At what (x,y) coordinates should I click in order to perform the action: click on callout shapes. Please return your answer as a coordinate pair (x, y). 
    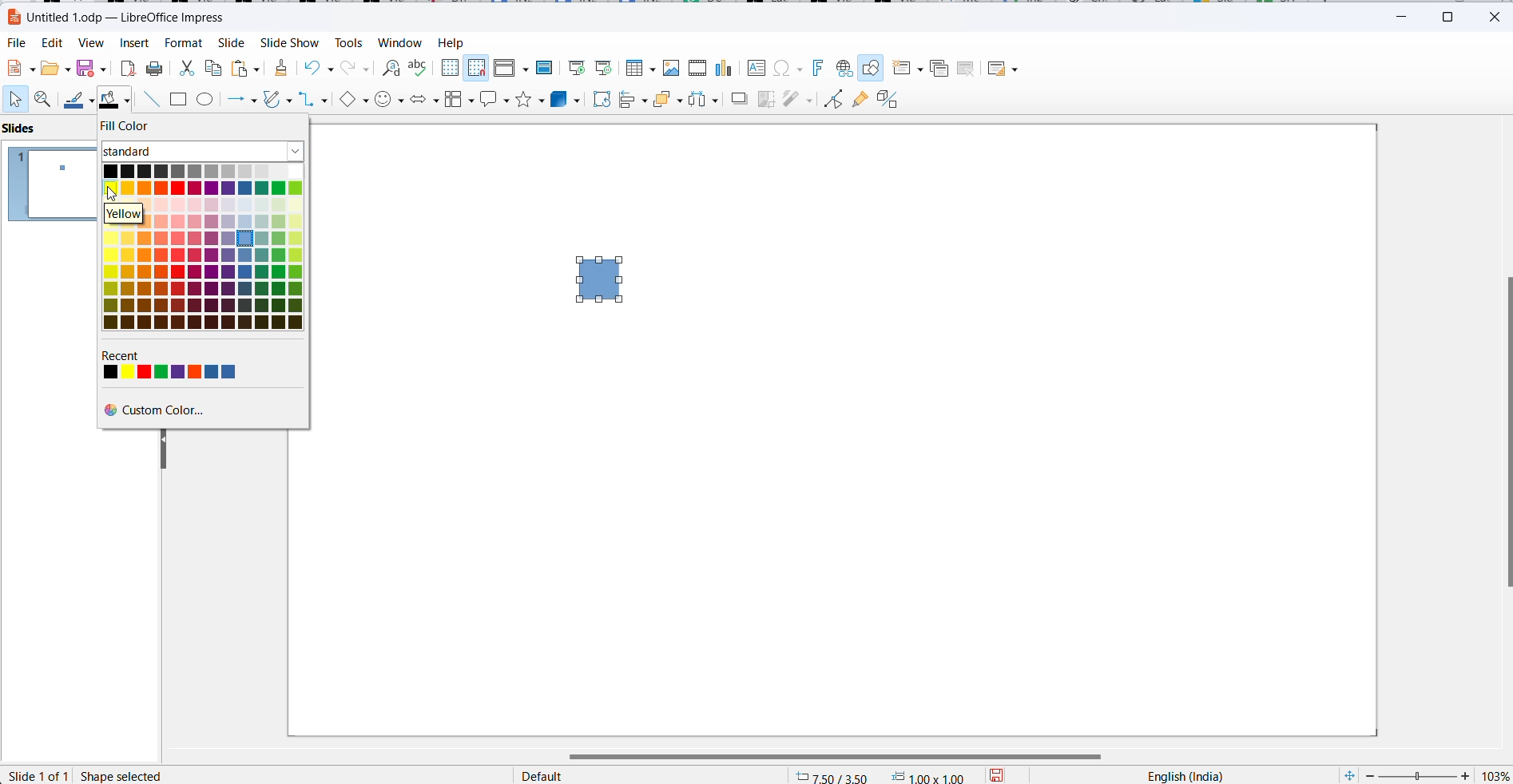
    Looking at the image, I should click on (495, 98).